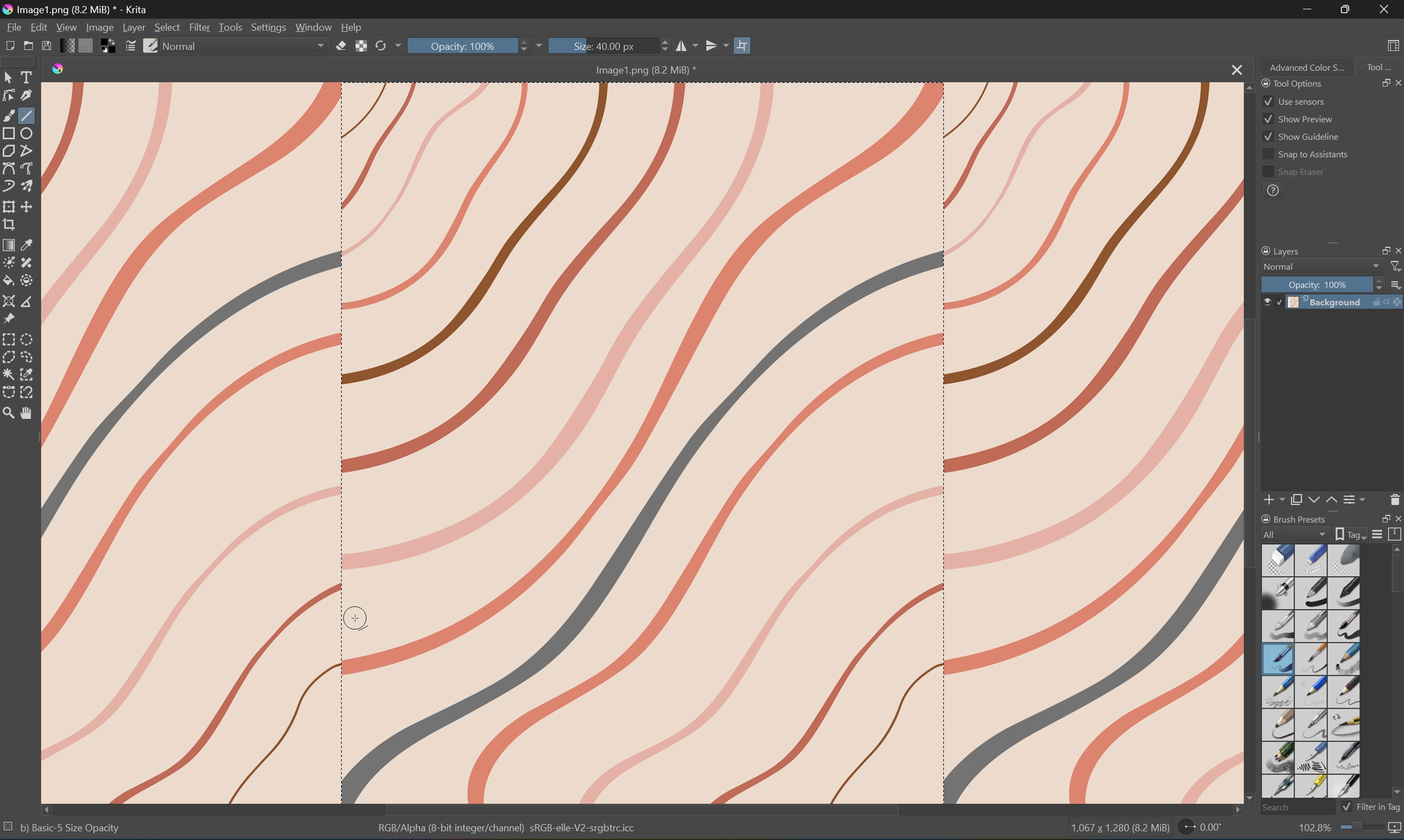 The width and height of the screenshot is (1404, 840). I want to click on Normal, so click(185, 45).